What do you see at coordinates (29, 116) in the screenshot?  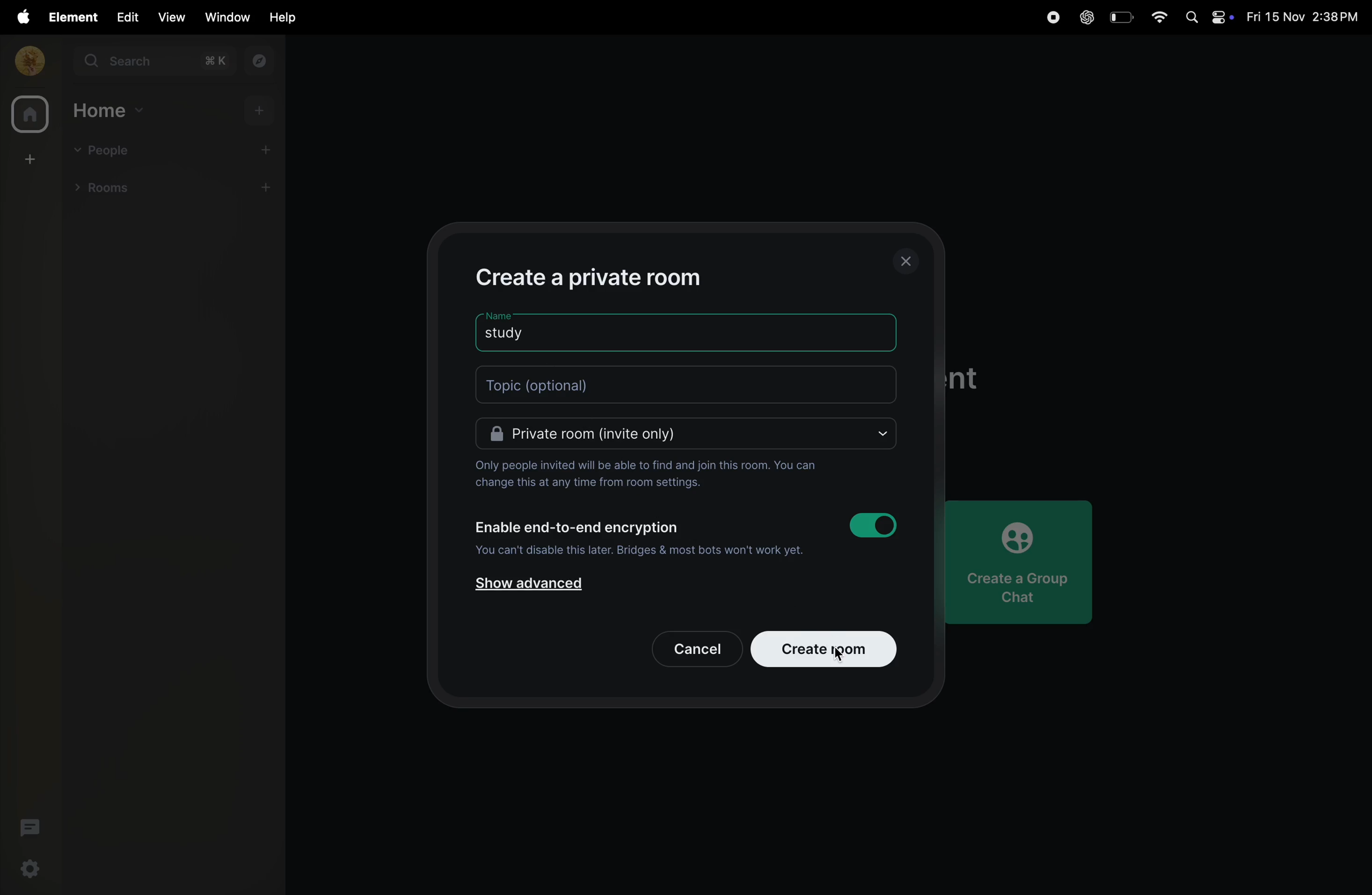 I see `home ` at bounding box center [29, 116].